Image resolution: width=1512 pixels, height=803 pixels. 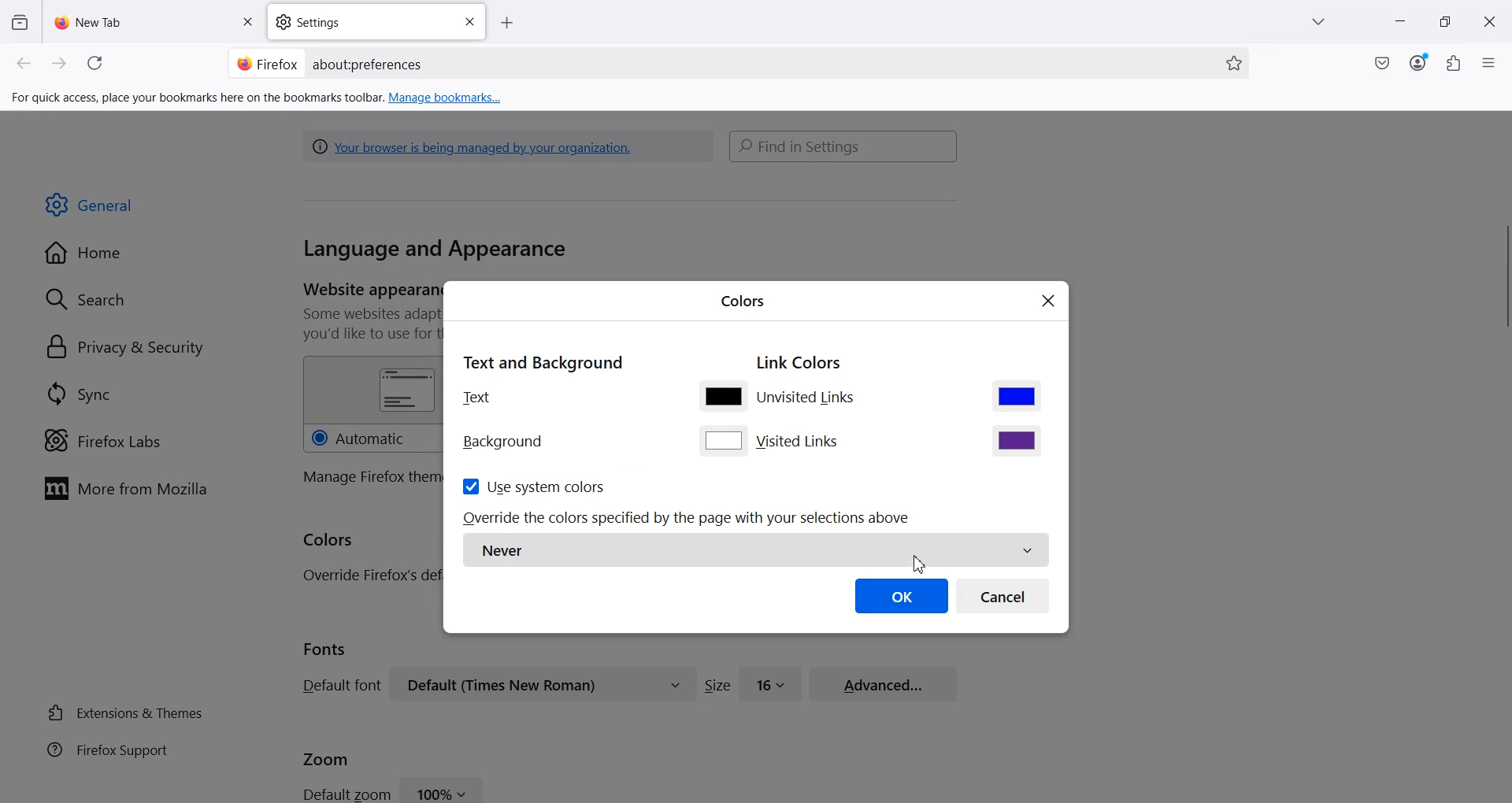 What do you see at coordinates (19, 21) in the screenshot?
I see `View recent browsing across window` at bounding box center [19, 21].